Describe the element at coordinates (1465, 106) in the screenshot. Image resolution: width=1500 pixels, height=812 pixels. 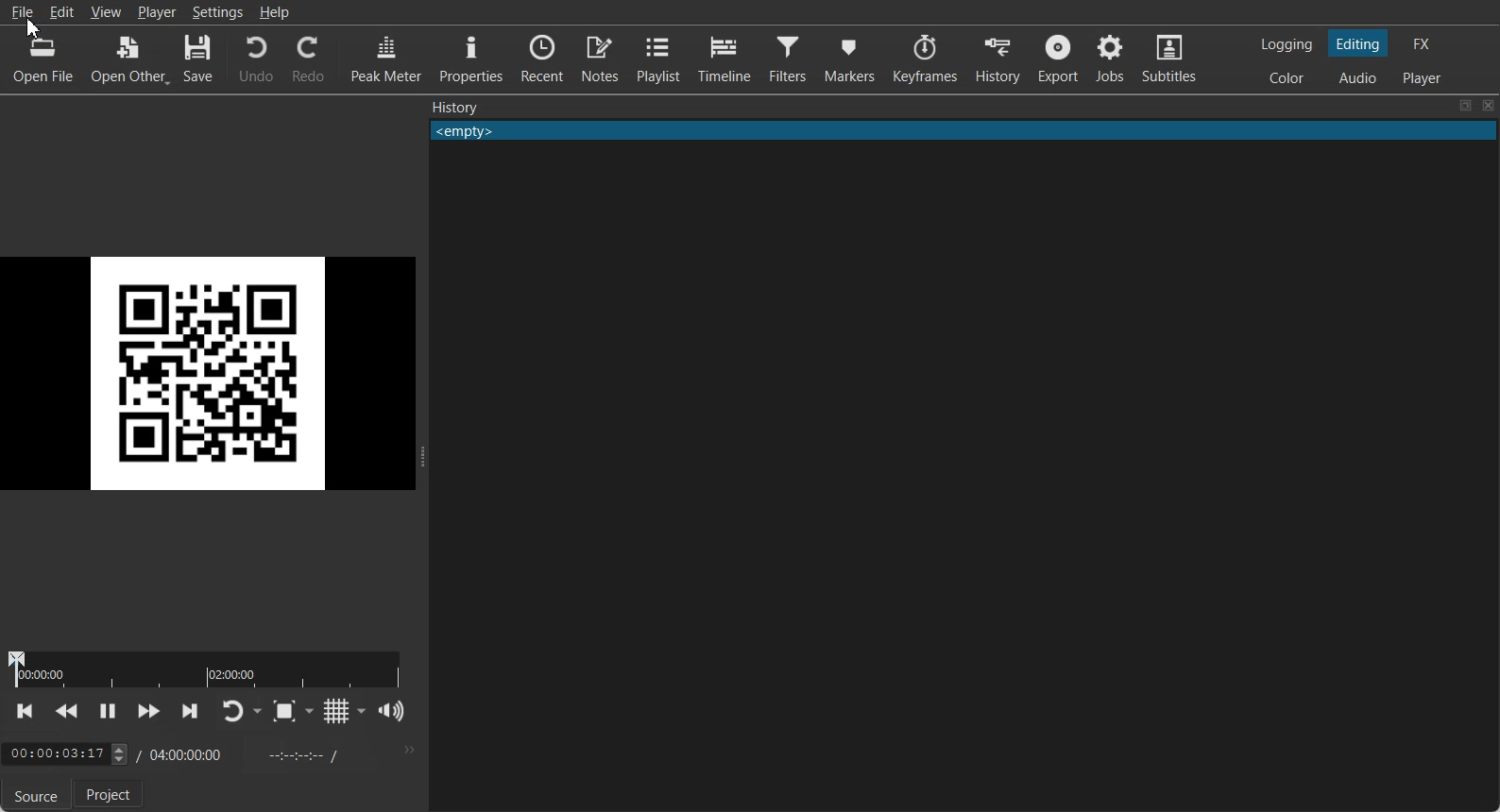
I see `Maximize` at that location.